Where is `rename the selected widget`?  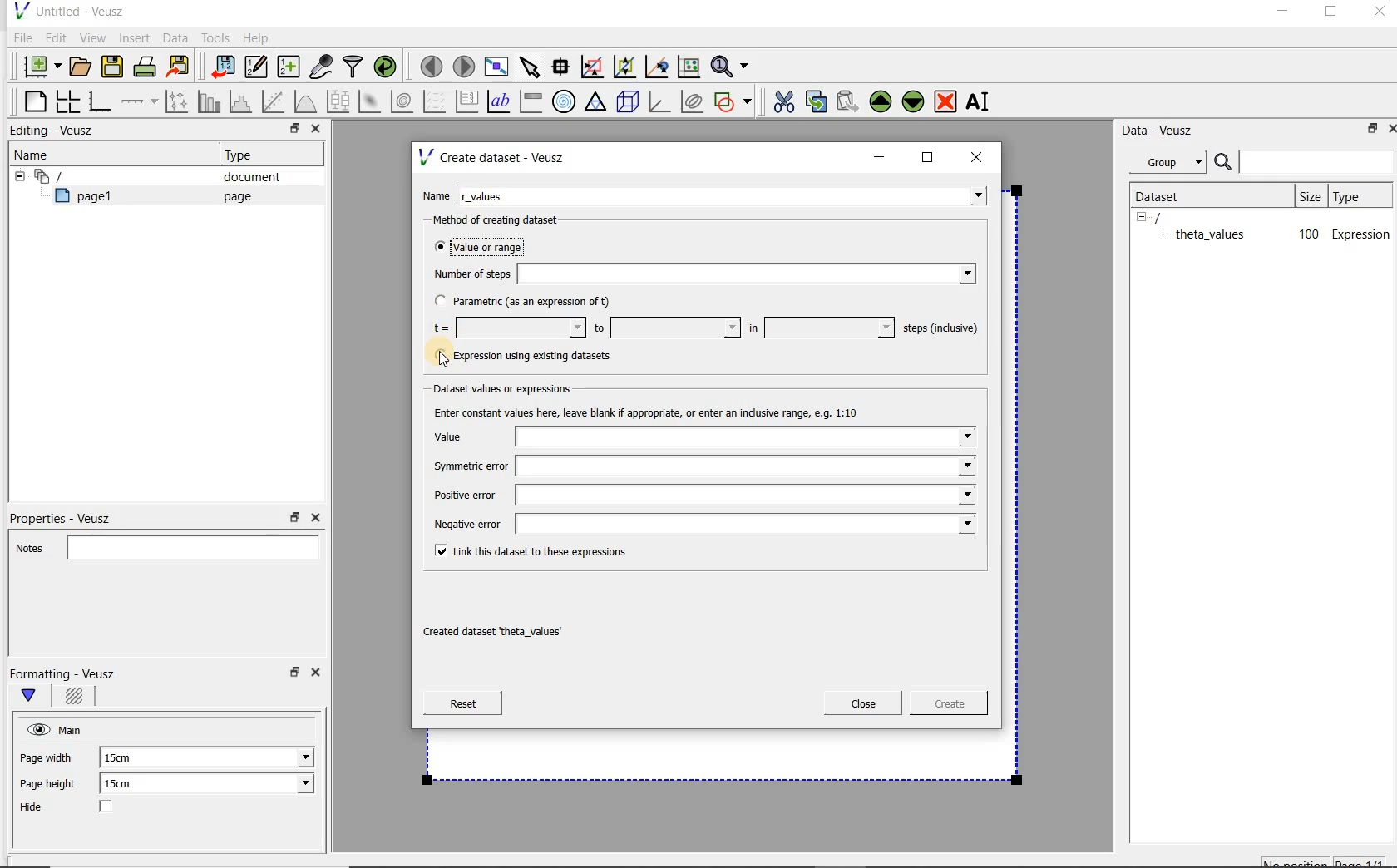
rename the selected widget is located at coordinates (981, 101).